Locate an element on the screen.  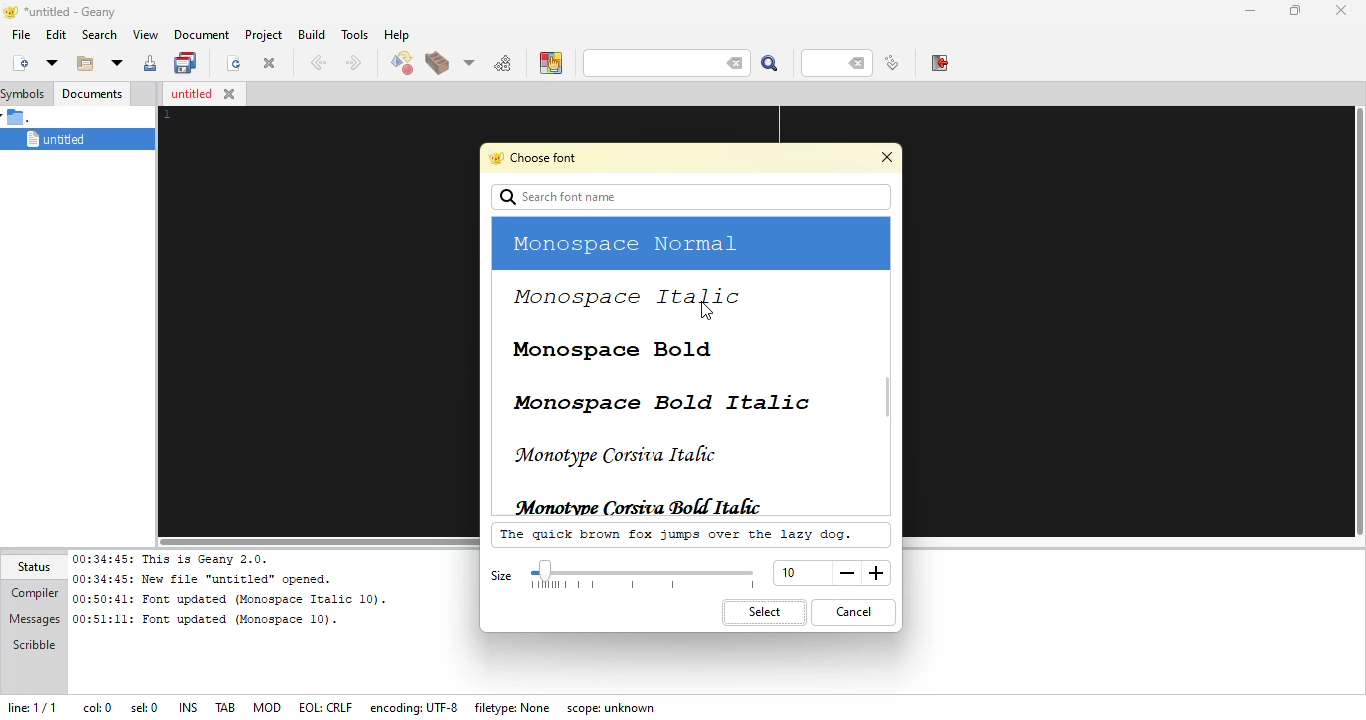
choose more is located at coordinates (467, 62).